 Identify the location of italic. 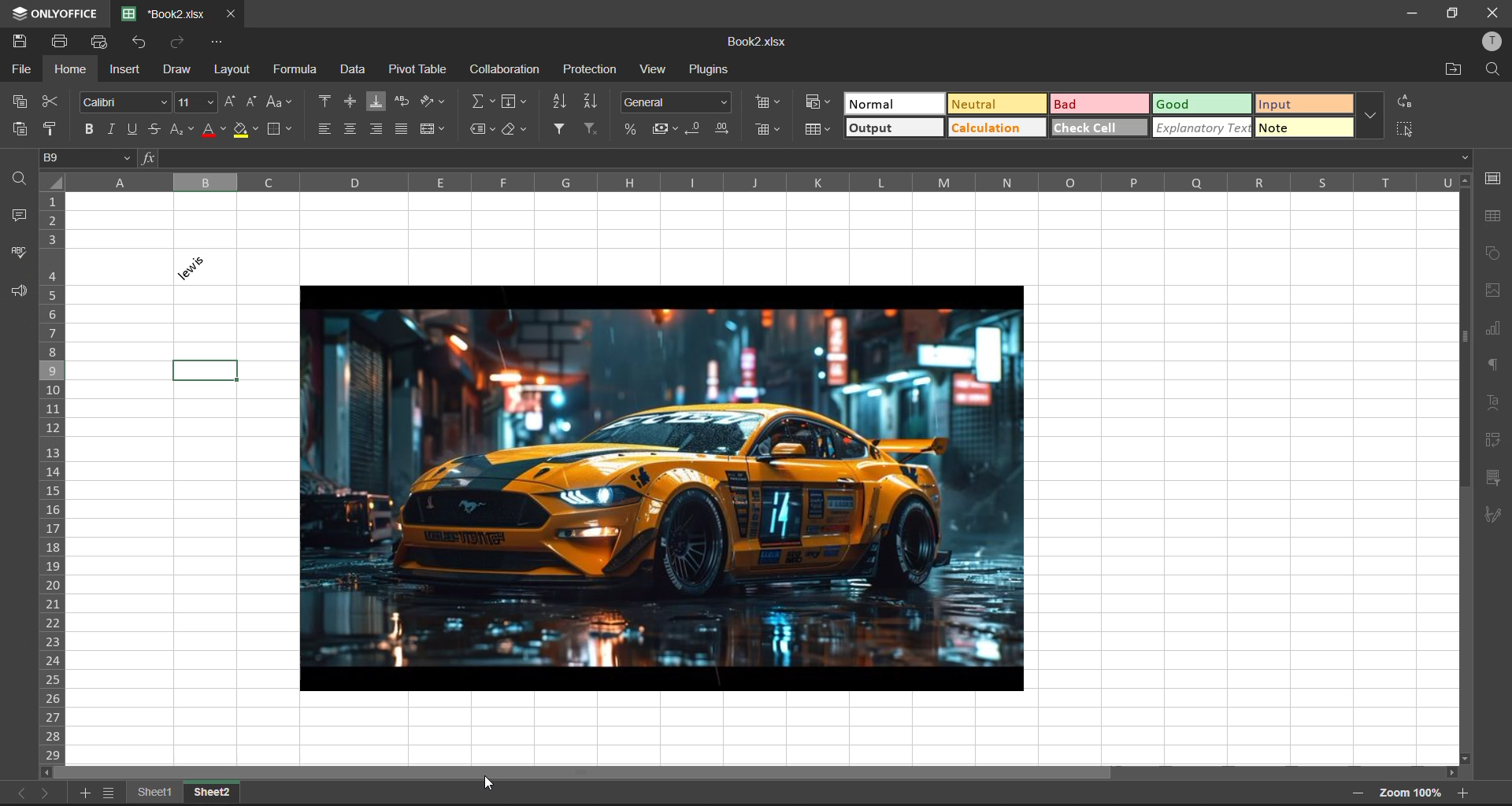
(111, 128).